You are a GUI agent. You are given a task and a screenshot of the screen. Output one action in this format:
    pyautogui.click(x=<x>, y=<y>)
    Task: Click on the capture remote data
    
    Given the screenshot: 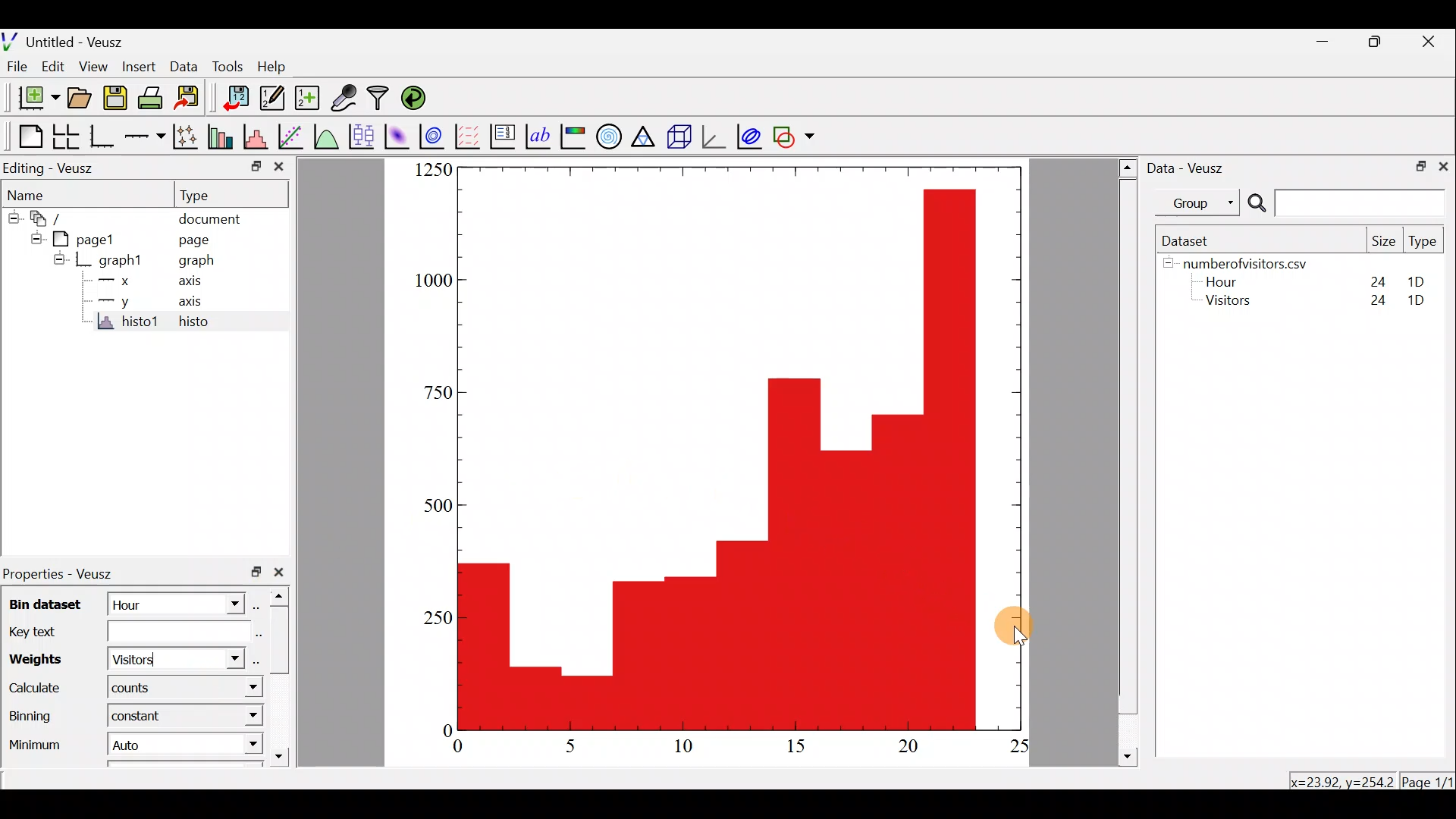 What is the action you would take?
    pyautogui.click(x=343, y=98)
    